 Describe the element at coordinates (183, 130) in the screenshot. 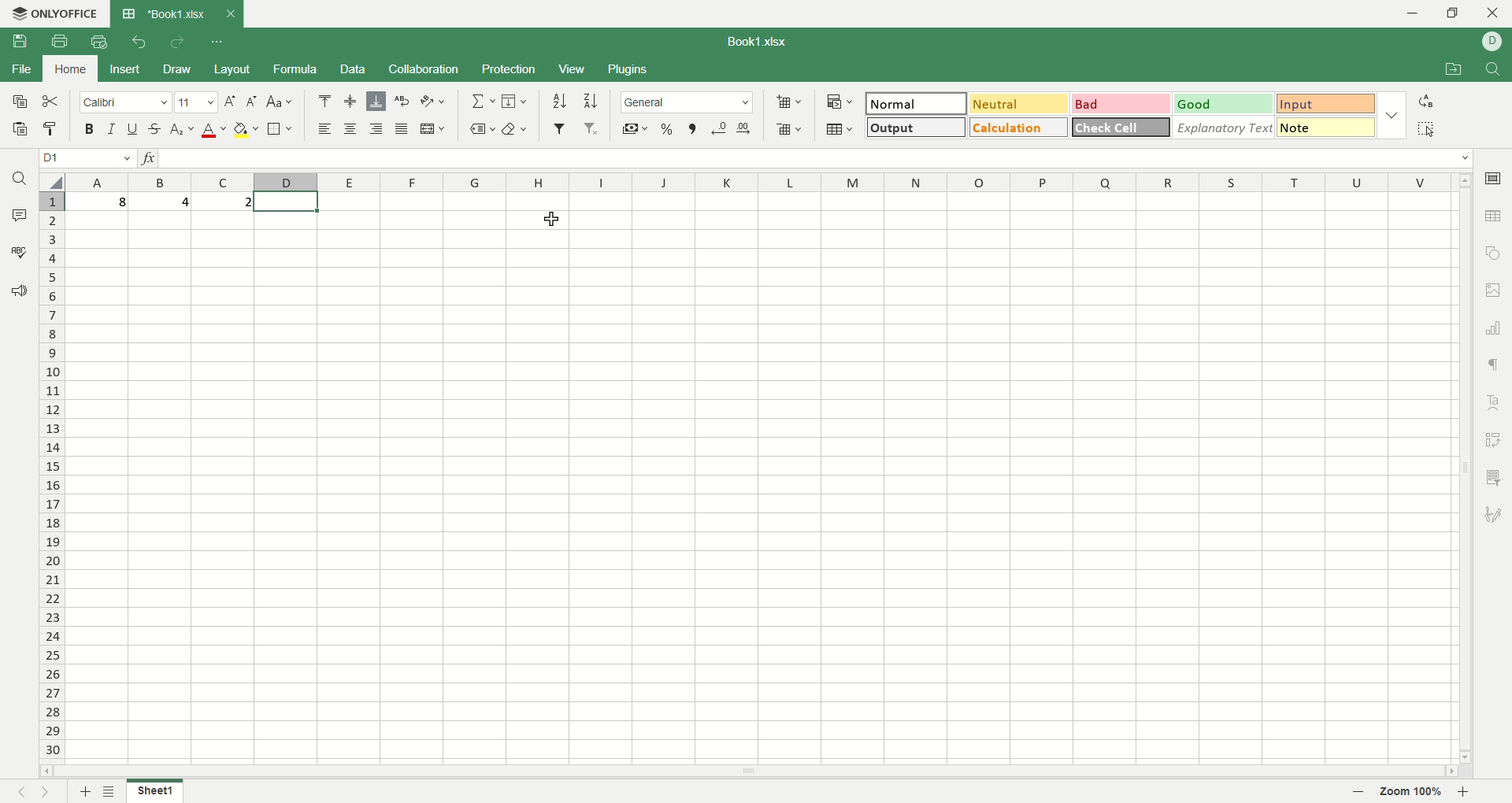

I see `subscript` at that location.